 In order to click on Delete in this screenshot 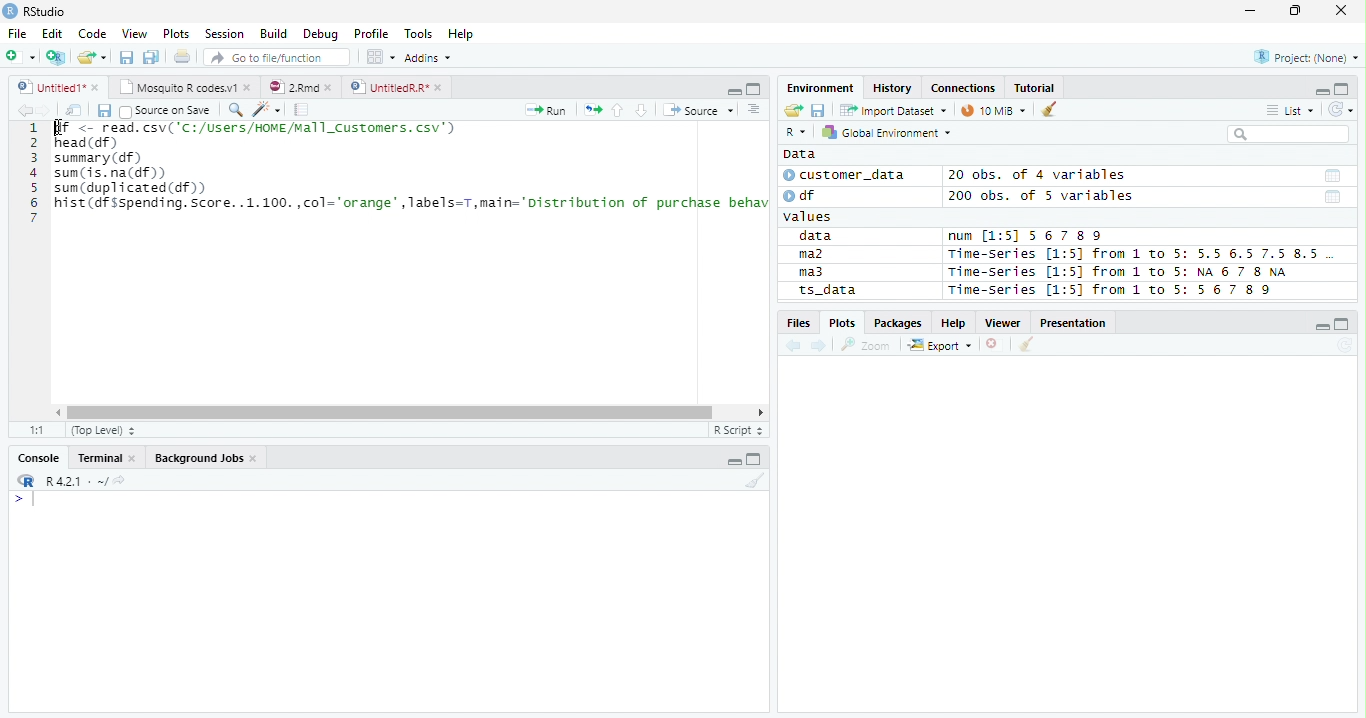, I will do `click(995, 345)`.